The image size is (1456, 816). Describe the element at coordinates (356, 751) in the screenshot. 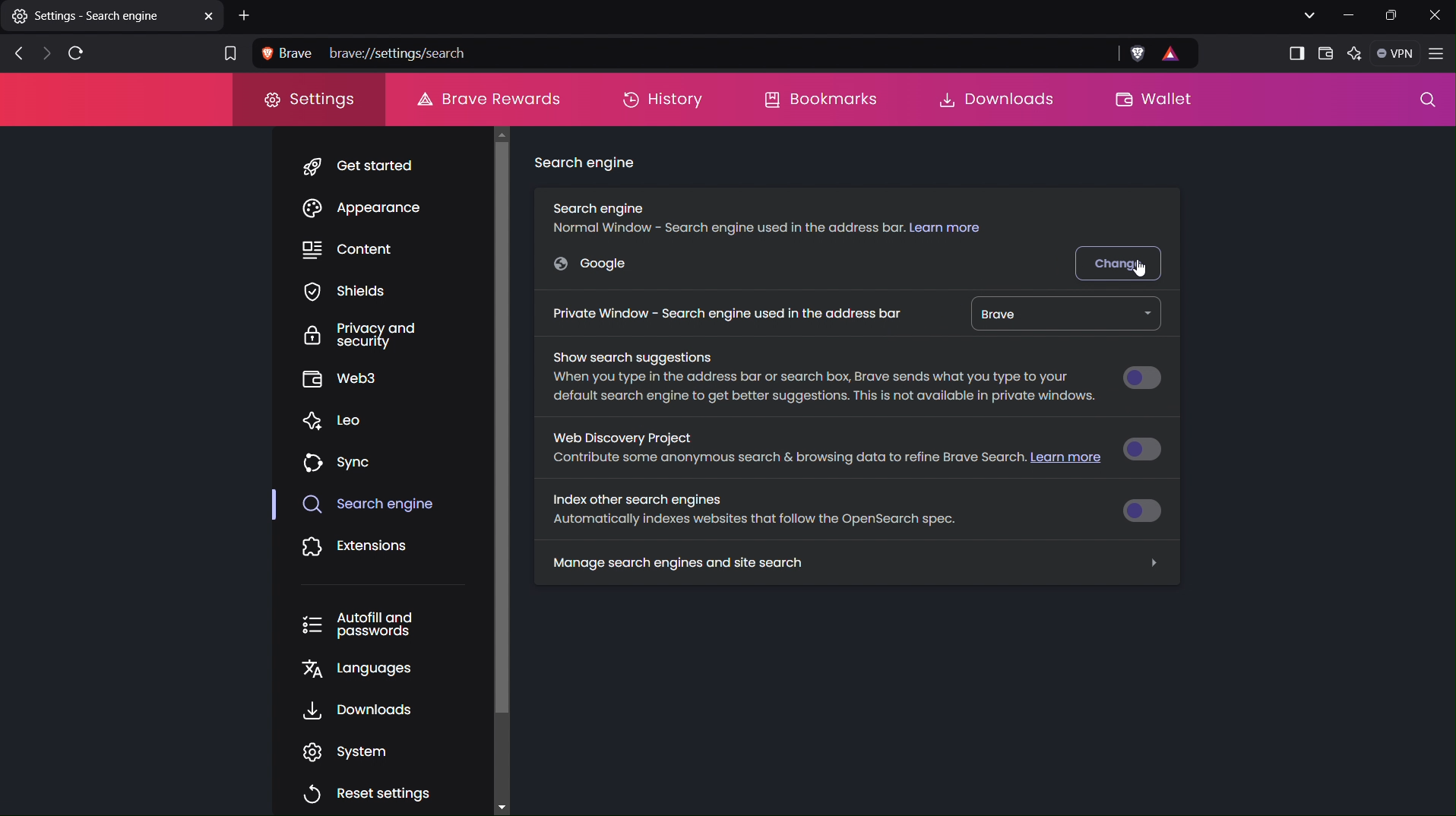

I see `System` at that location.